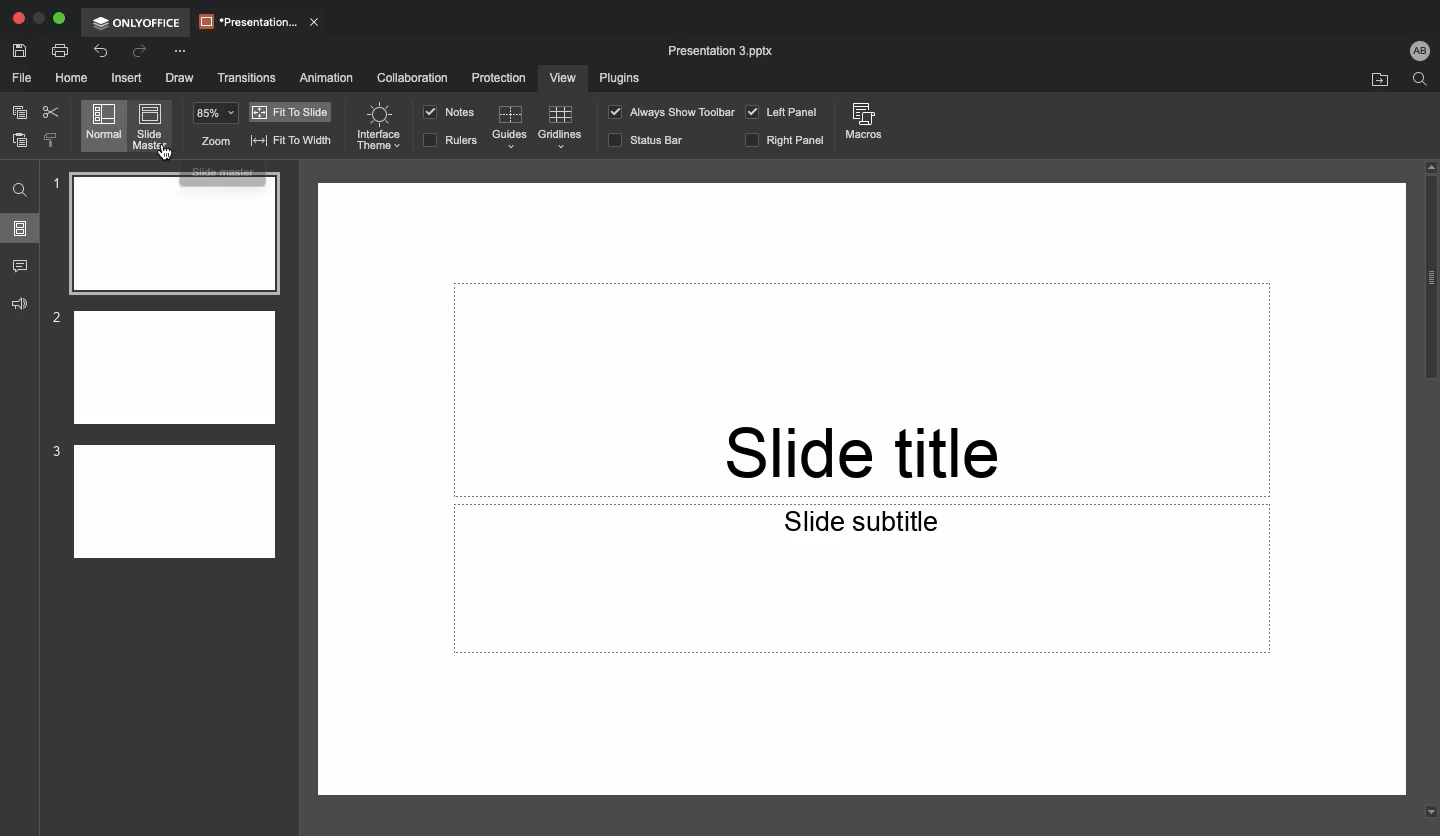 The width and height of the screenshot is (1440, 836). Describe the element at coordinates (259, 20) in the screenshot. I see `Presentation..` at that location.